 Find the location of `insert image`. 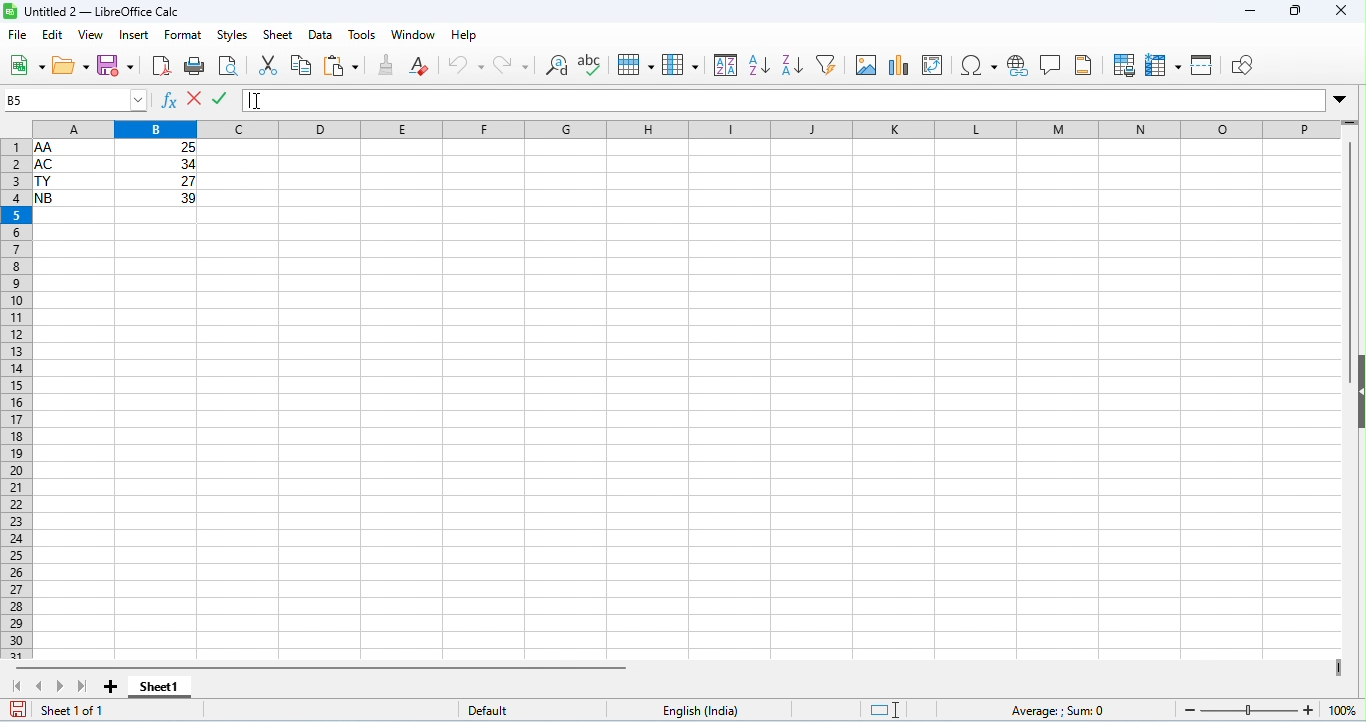

insert image is located at coordinates (867, 64).